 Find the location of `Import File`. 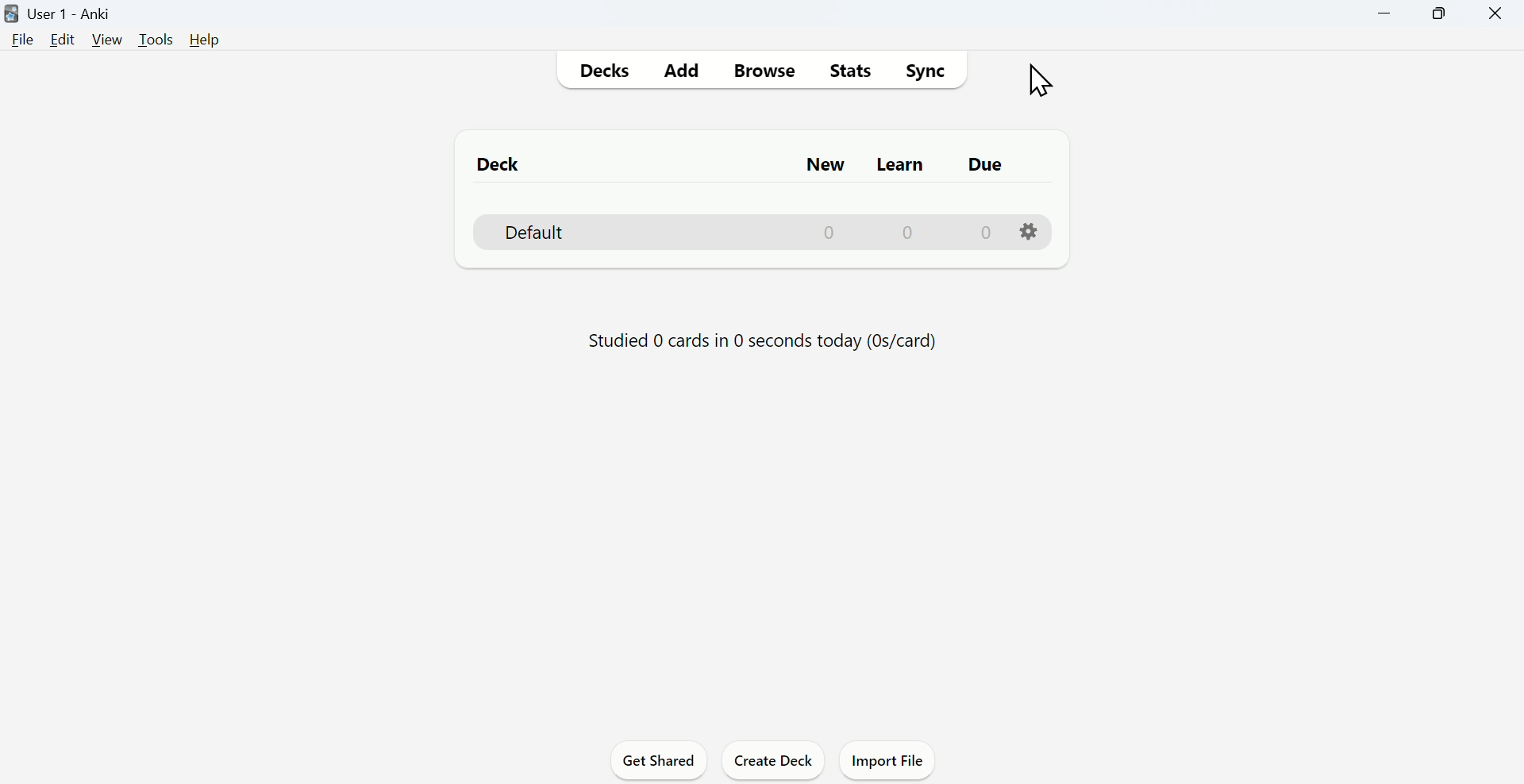

Import File is located at coordinates (898, 764).